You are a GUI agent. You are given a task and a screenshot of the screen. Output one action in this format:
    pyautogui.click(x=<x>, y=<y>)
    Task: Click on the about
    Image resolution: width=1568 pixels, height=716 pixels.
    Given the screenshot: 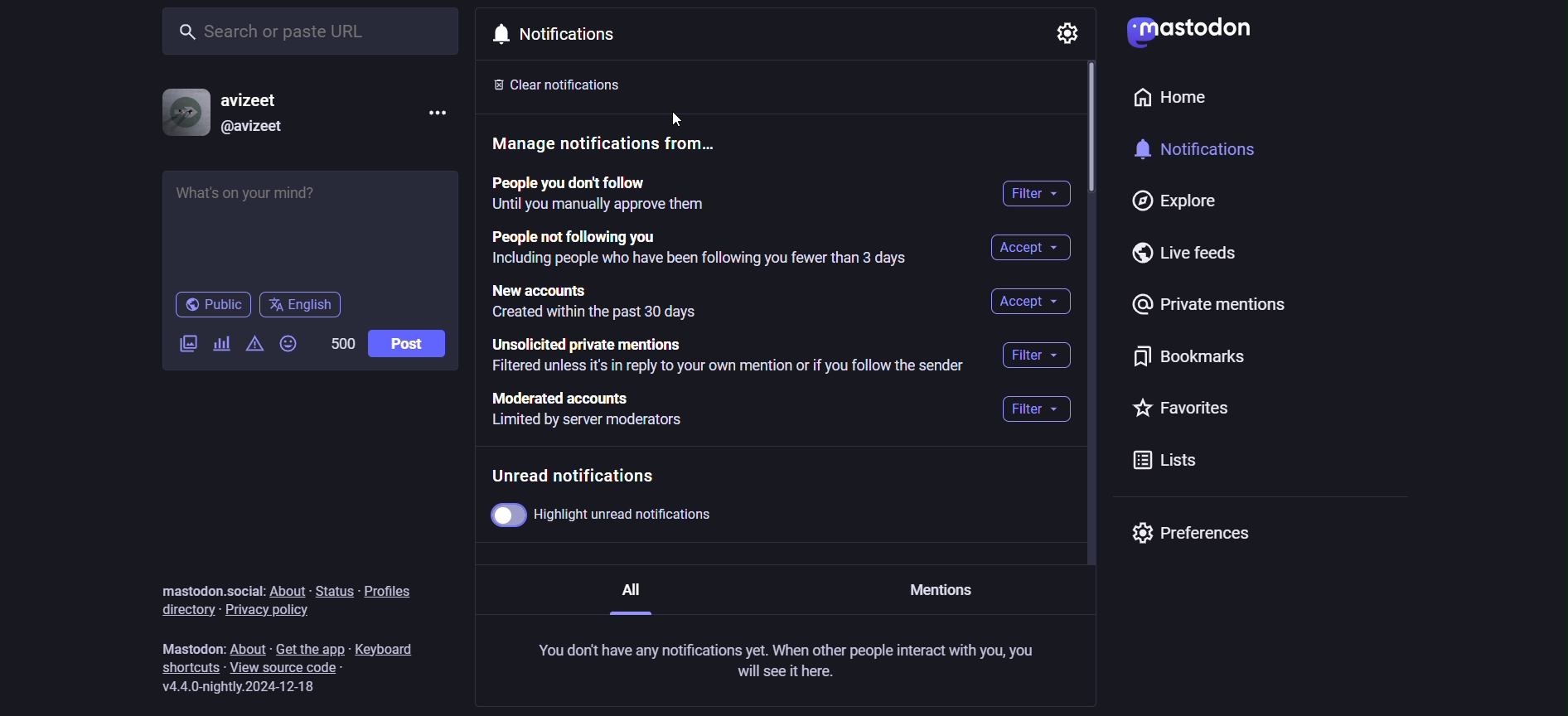 What is the action you would take?
    pyautogui.click(x=292, y=591)
    